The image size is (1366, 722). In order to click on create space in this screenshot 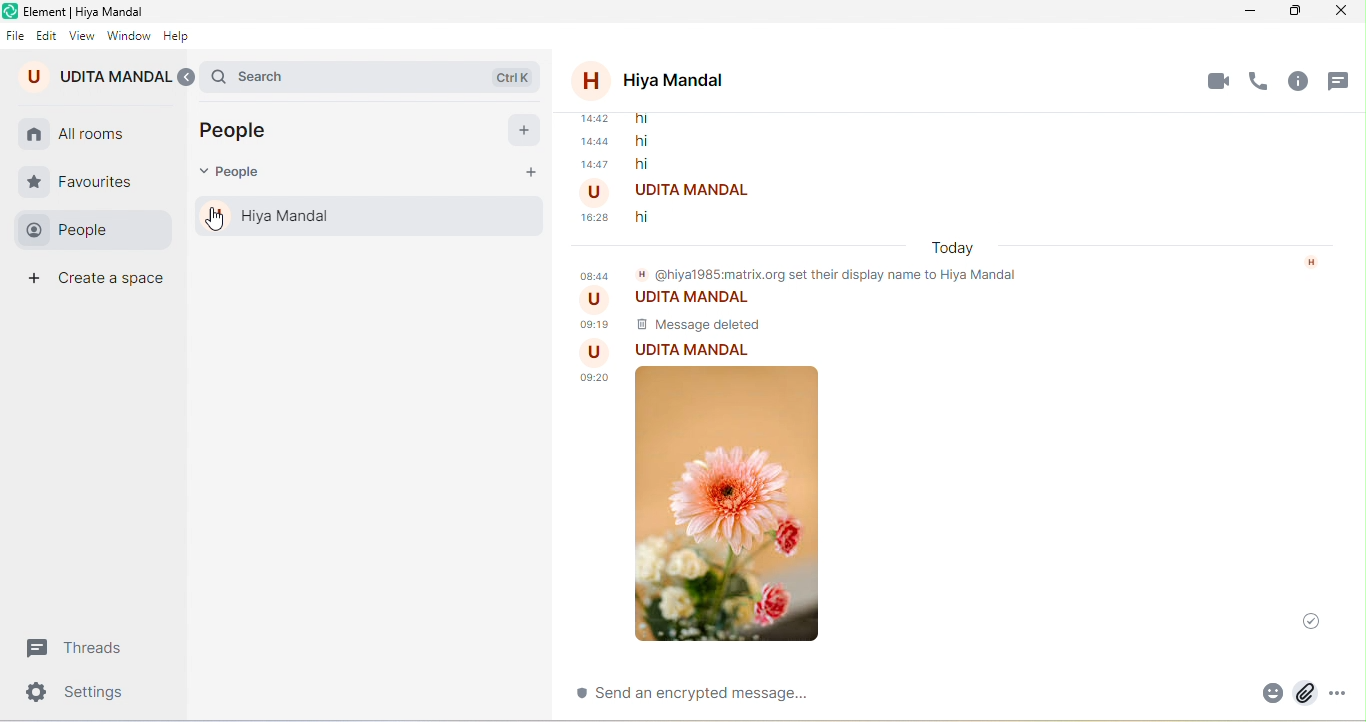, I will do `click(100, 282)`.